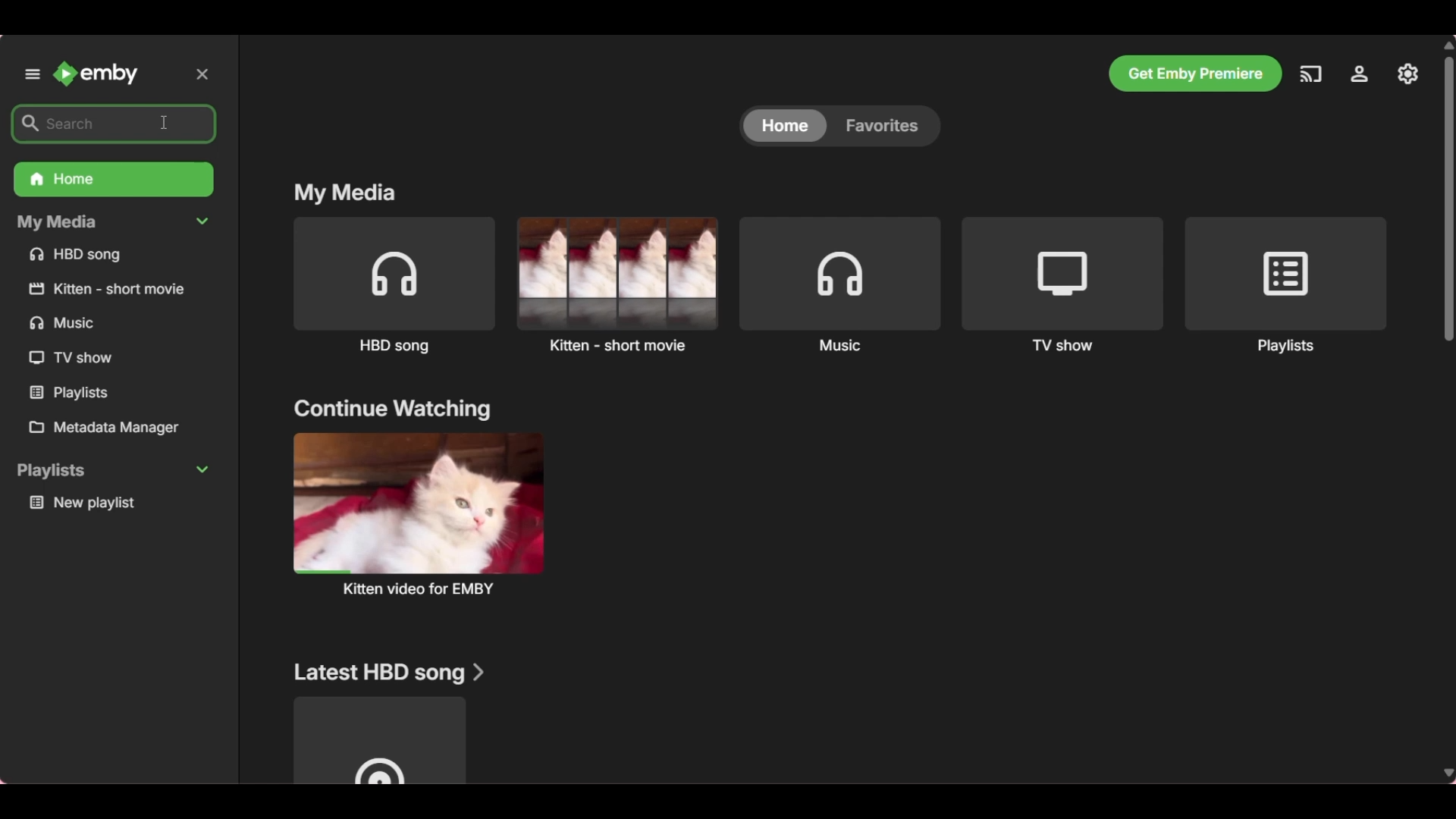 The image size is (1456, 819). What do you see at coordinates (74, 393) in the screenshot?
I see `Playlists` at bounding box center [74, 393].